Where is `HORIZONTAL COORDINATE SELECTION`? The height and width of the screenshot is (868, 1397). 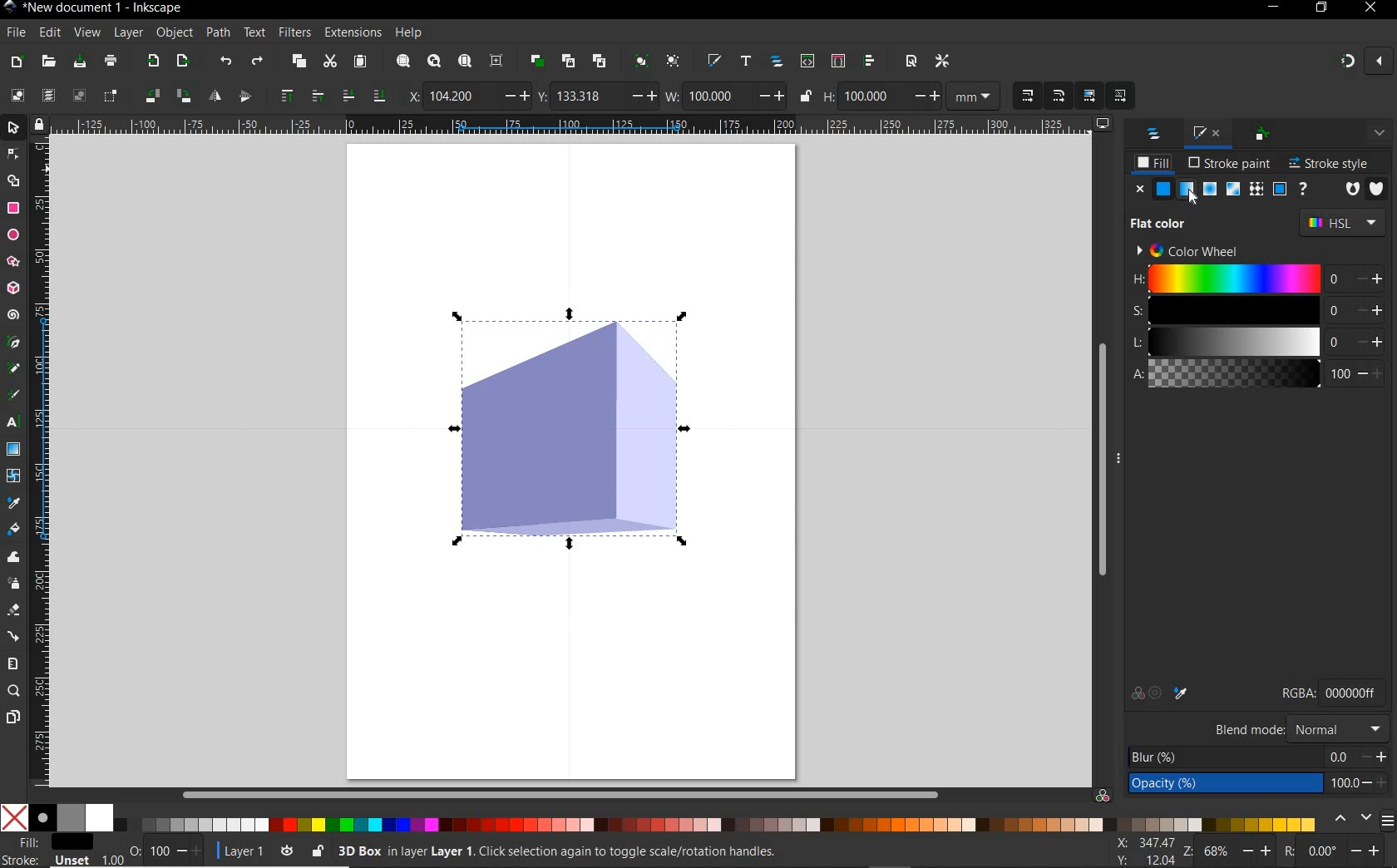 HORIZONTAL COORDINATE SELECTION is located at coordinates (411, 96).